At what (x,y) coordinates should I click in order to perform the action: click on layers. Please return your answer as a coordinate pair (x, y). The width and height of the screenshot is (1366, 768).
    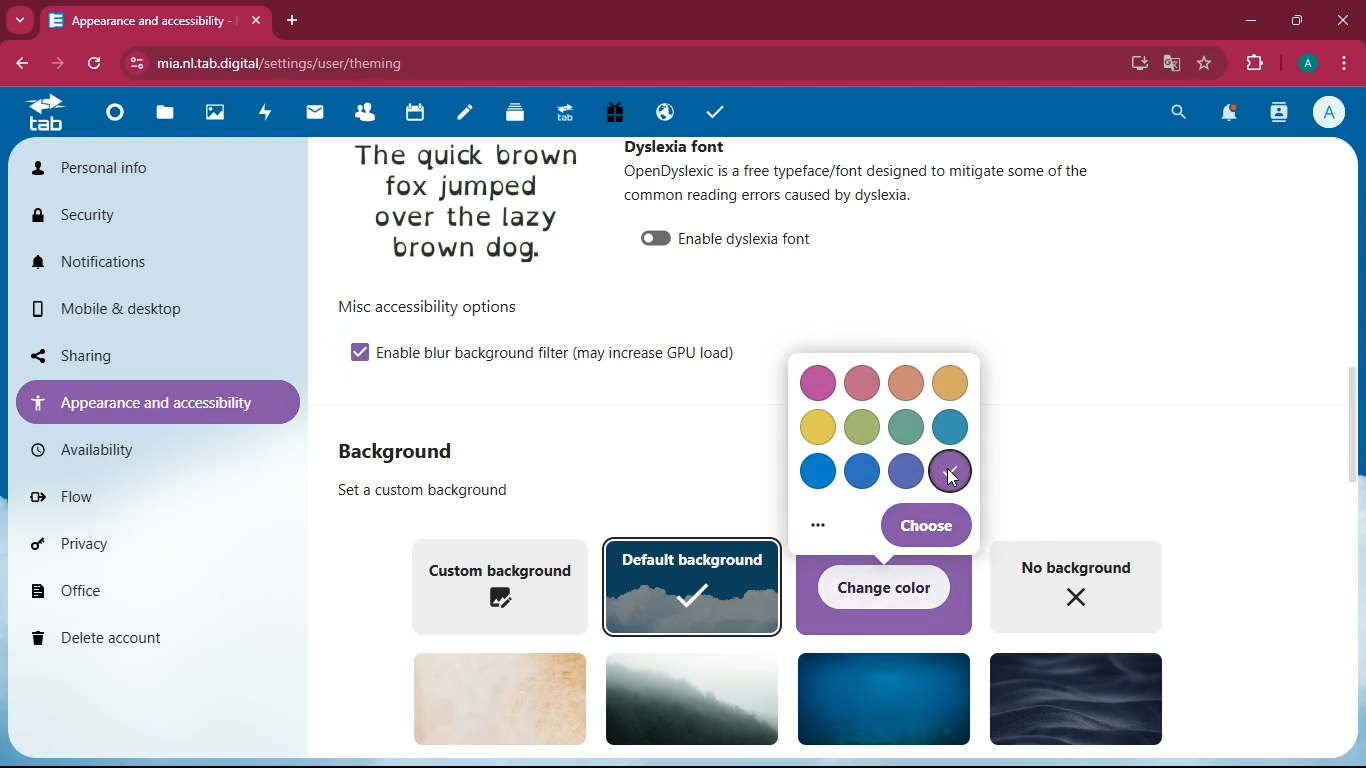
    Looking at the image, I should click on (511, 114).